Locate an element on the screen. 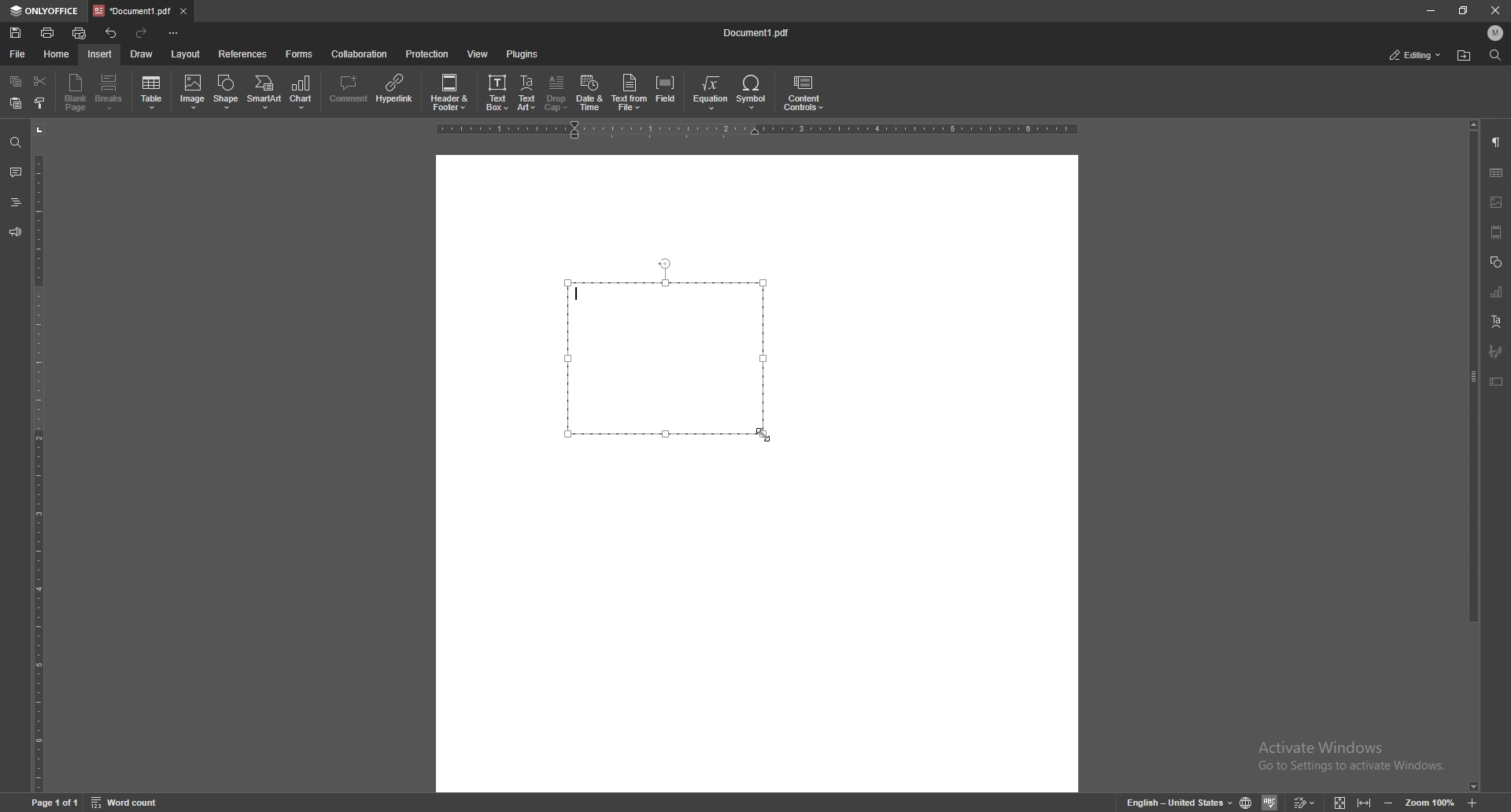 Image resolution: width=1511 pixels, height=812 pixels. Activate Windows
Go to Settings to activate Windows. is located at coordinates (1355, 757).